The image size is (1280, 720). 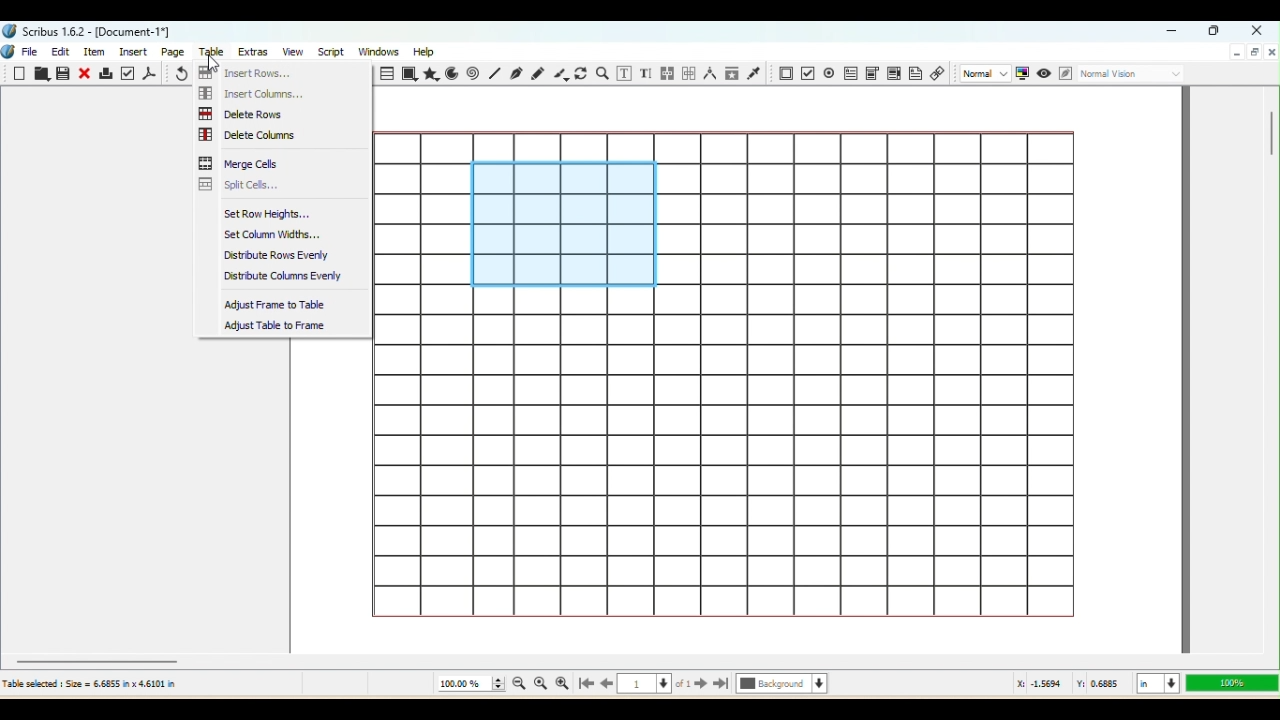 I want to click on Edit text with story editor, so click(x=647, y=73).